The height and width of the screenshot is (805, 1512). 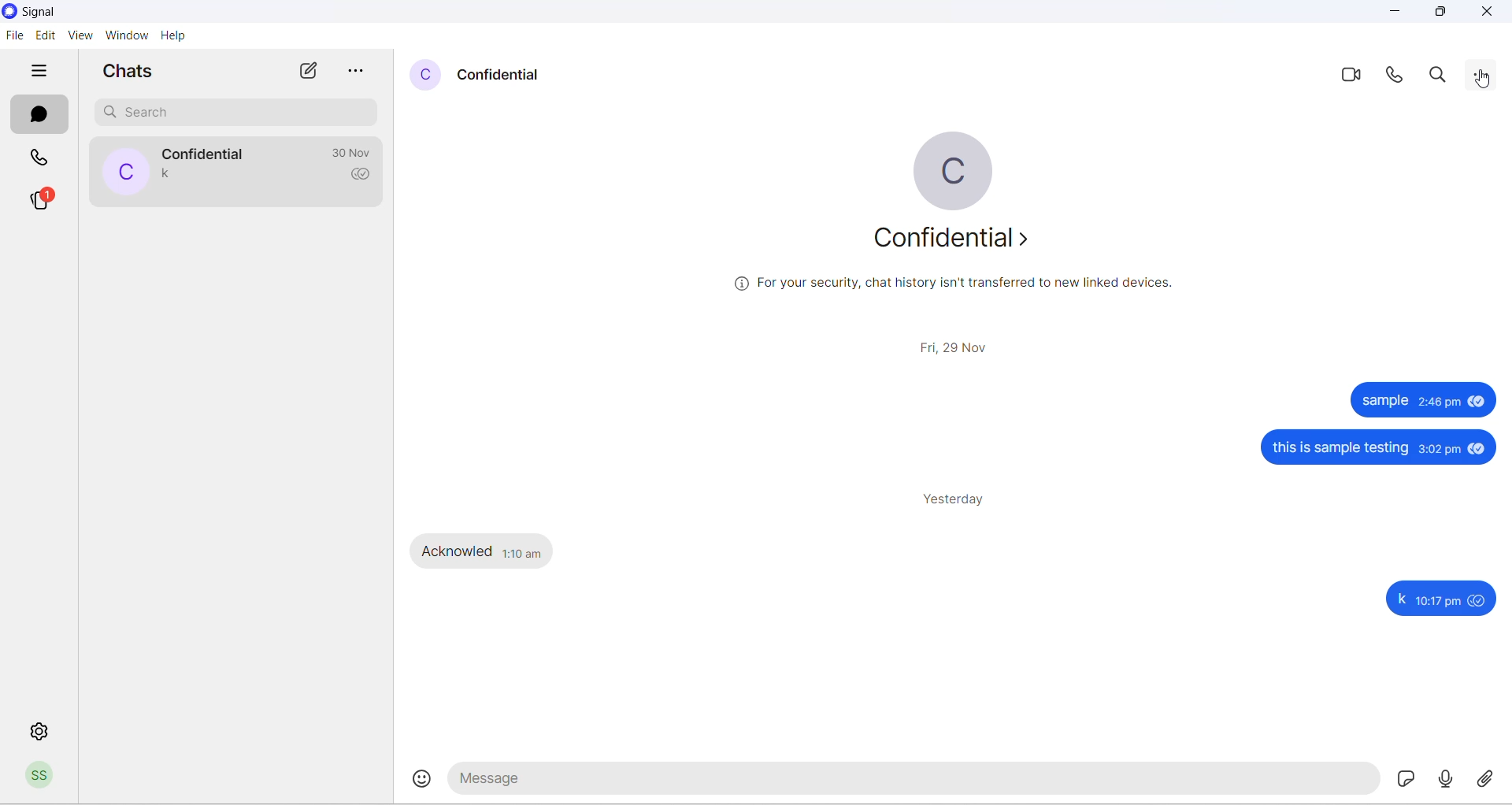 What do you see at coordinates (43, 155) in the screenshot?
I see `calls` at bounding box center [43, 155].